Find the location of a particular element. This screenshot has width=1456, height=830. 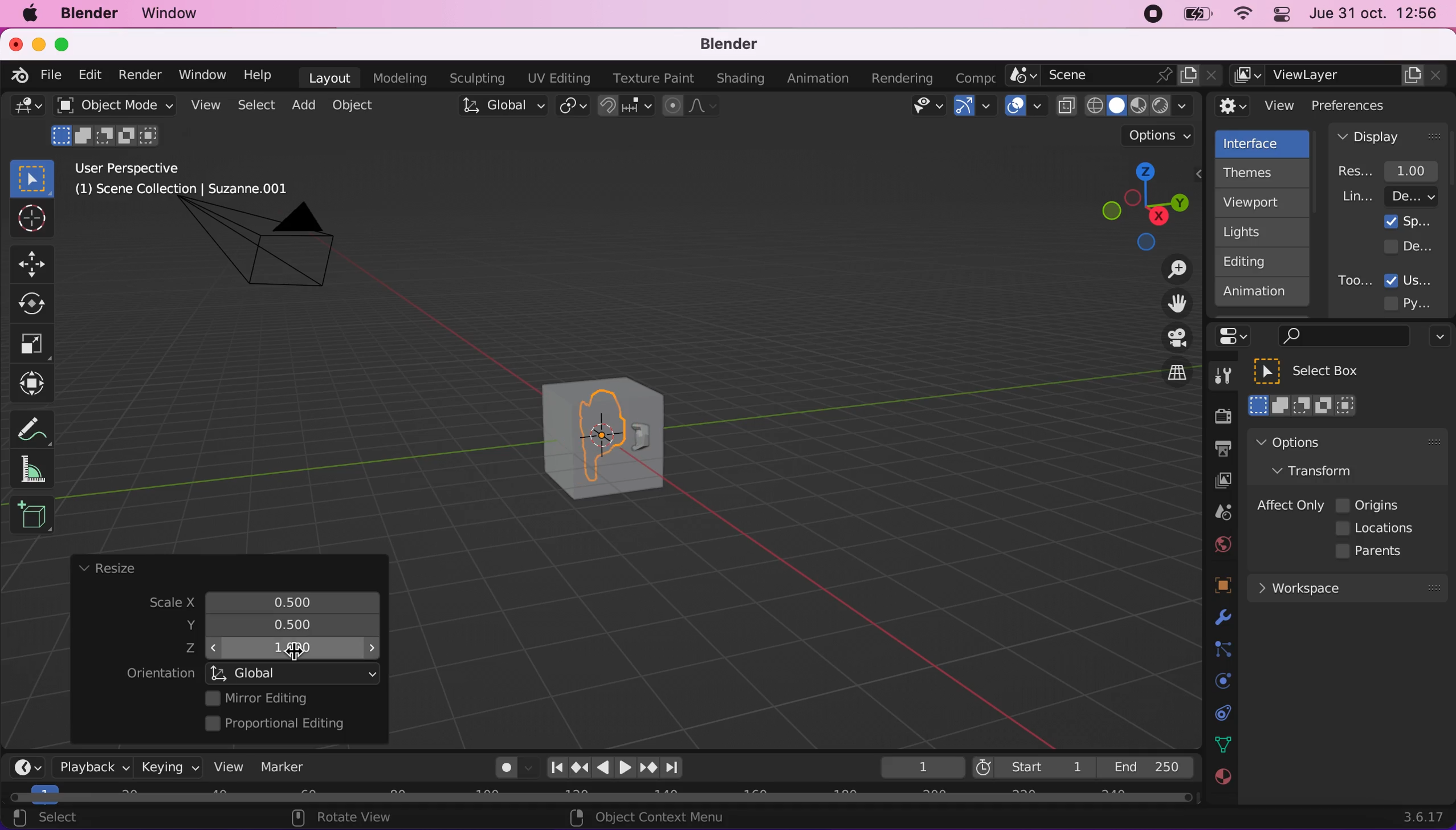

select box mode is located at coordinates (1303, 405).